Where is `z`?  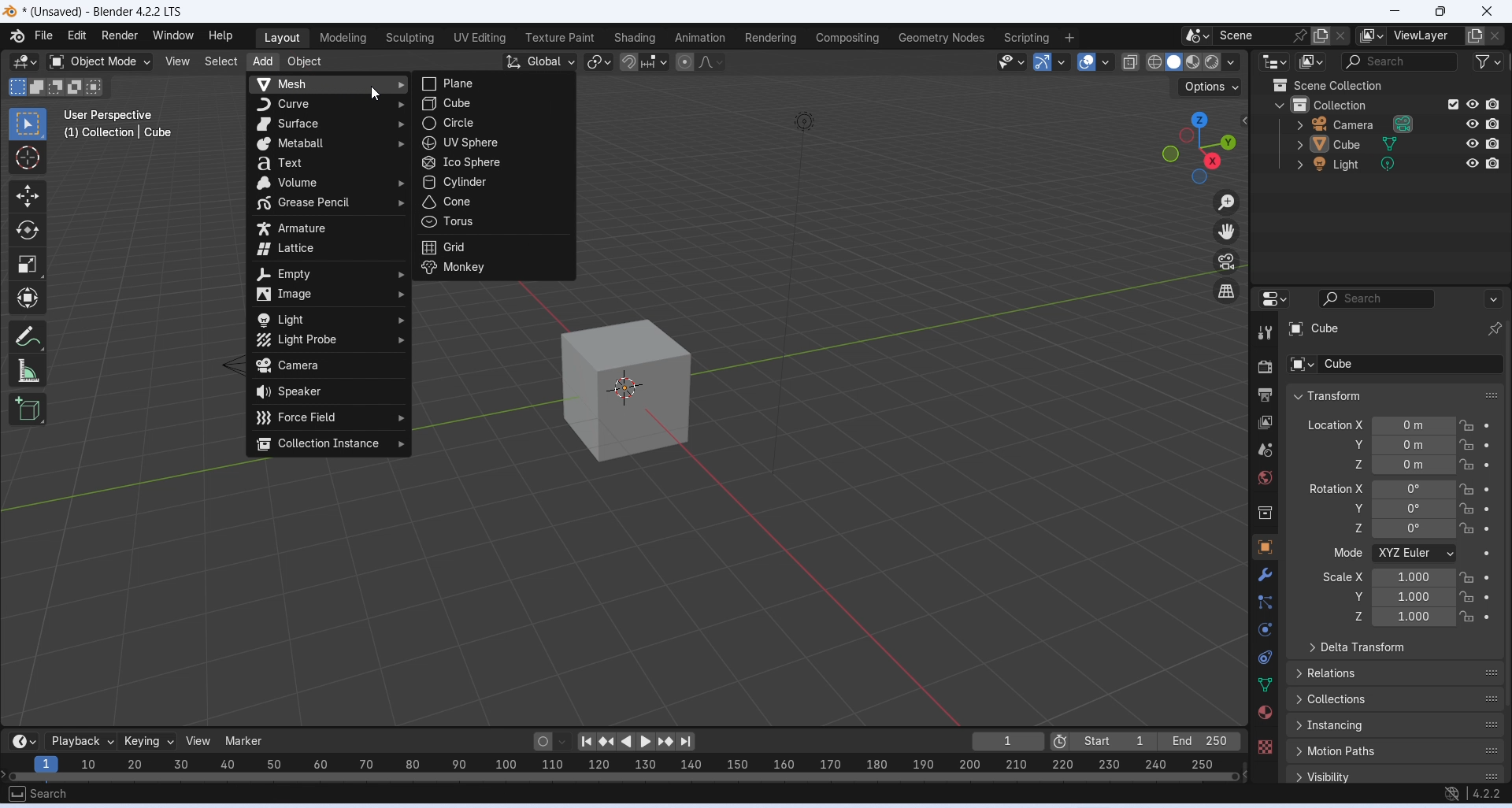
z is located at coordinates (1353, 617).